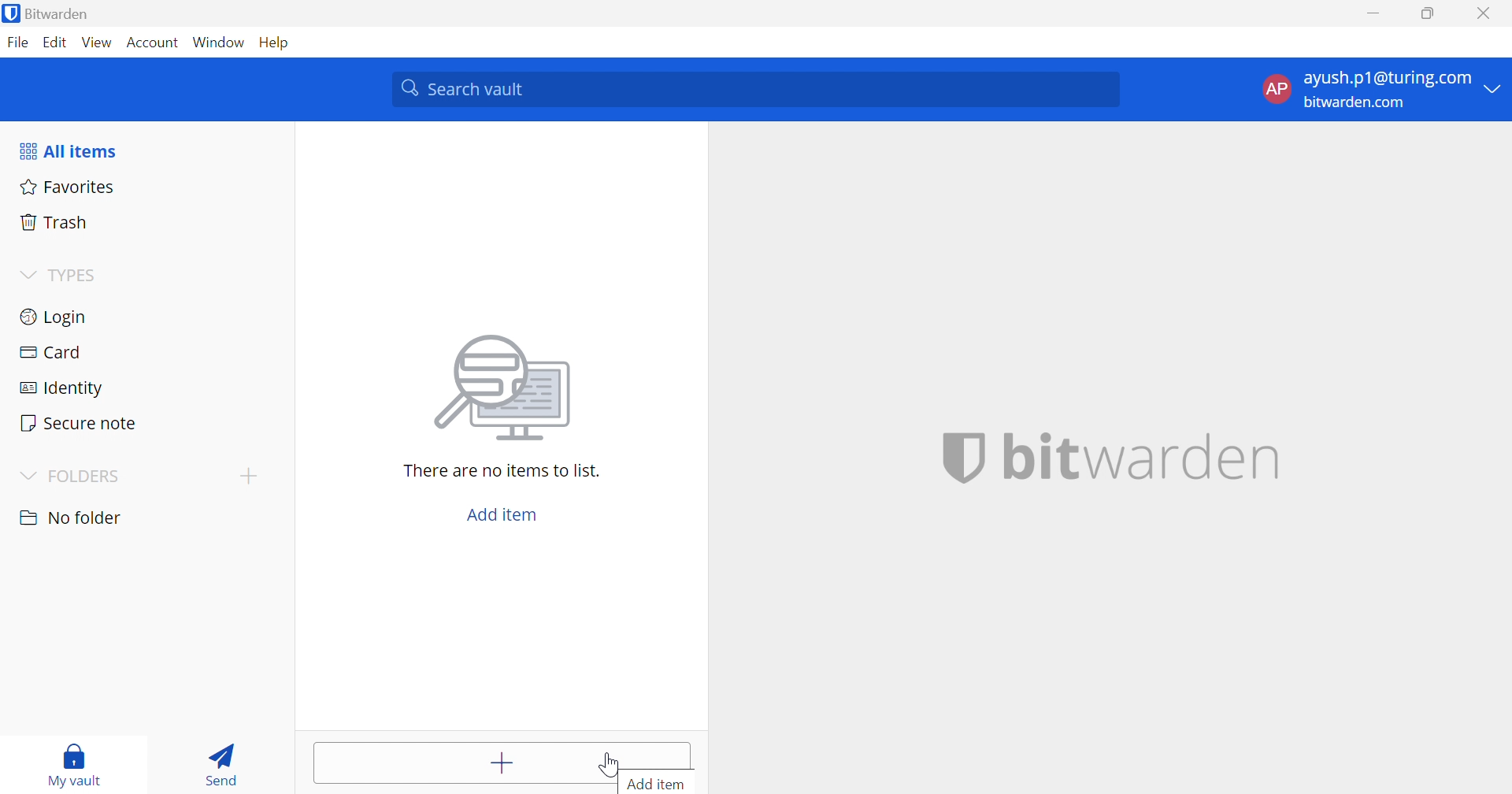  Describe the element at coordinates (154, 41) in the screenshot. I see `Account` at that location.